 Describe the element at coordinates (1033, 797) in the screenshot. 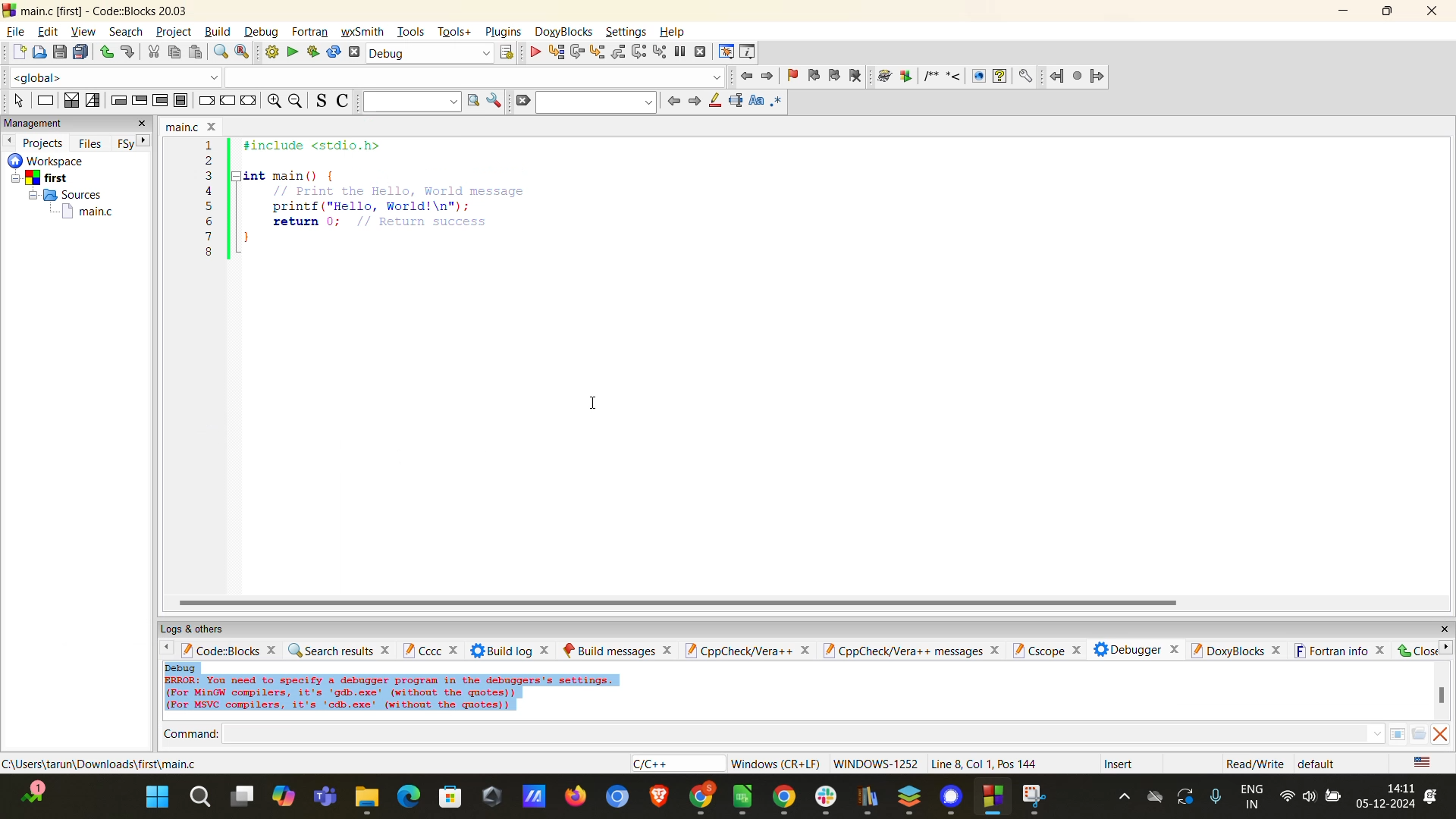

I see `snipping tool ` at that location.